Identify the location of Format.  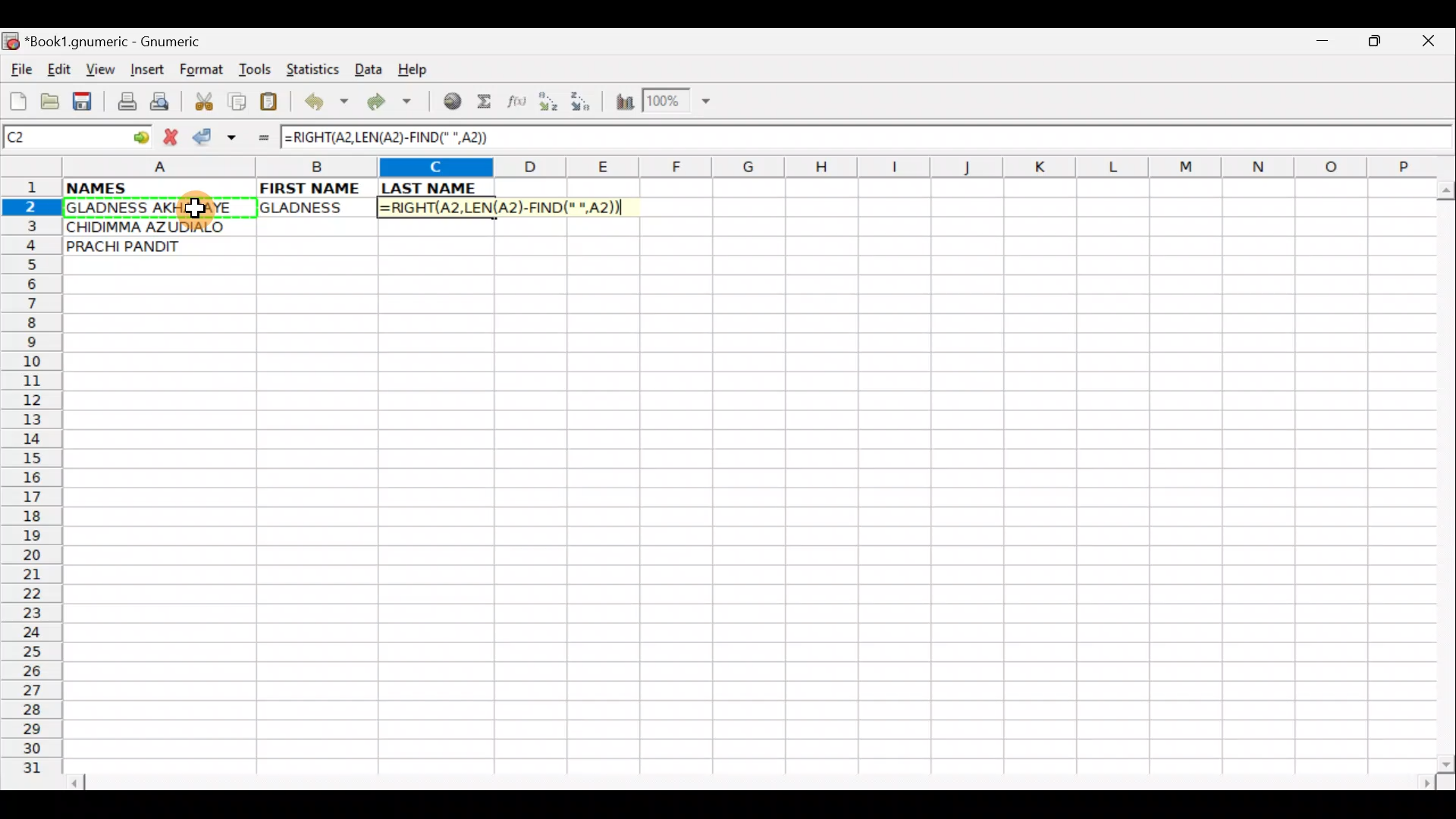
(205, 71).